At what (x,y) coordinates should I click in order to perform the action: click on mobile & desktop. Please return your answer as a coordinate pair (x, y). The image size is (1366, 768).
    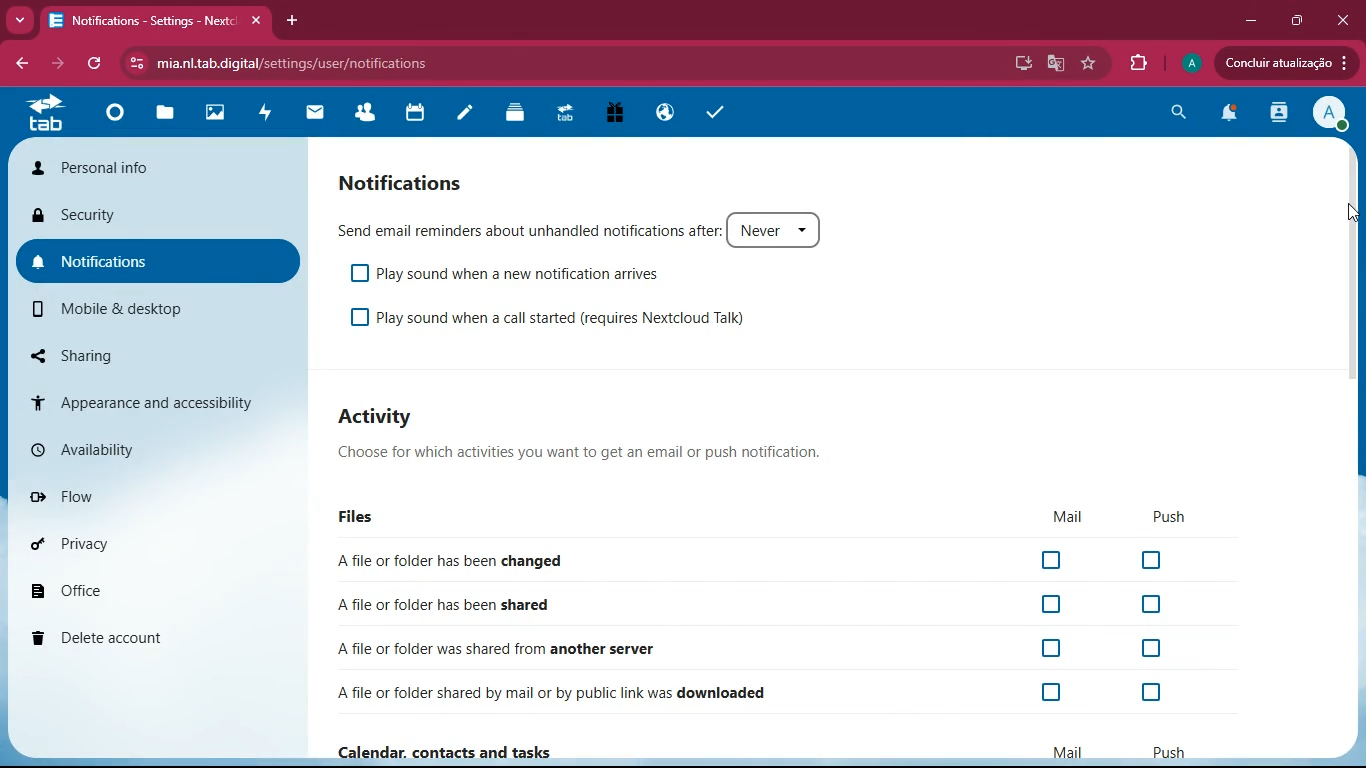
    Looking at the image, I should click on (142, 311).